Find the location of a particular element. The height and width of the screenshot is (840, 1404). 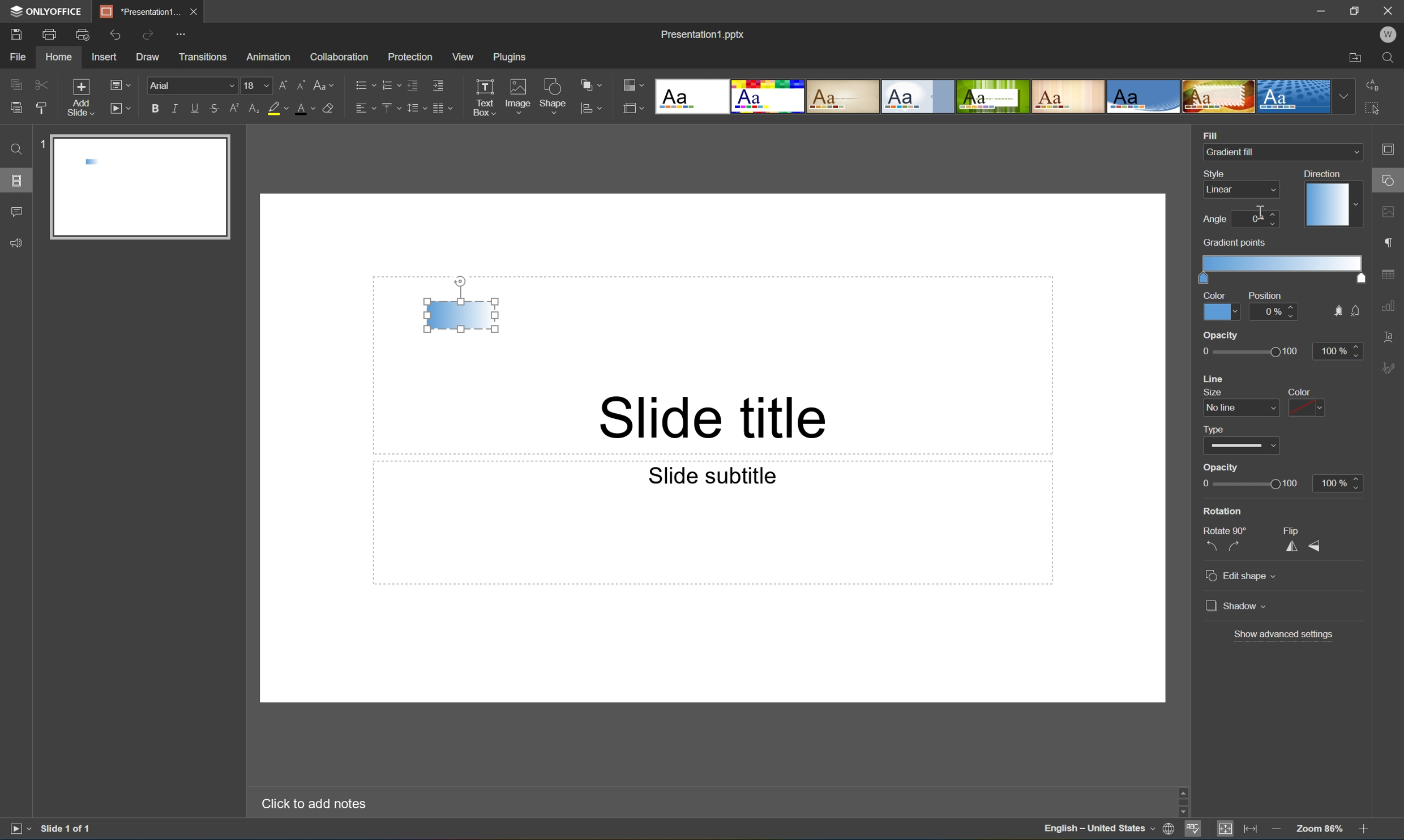

Color is located at coordinates (1215, 294).